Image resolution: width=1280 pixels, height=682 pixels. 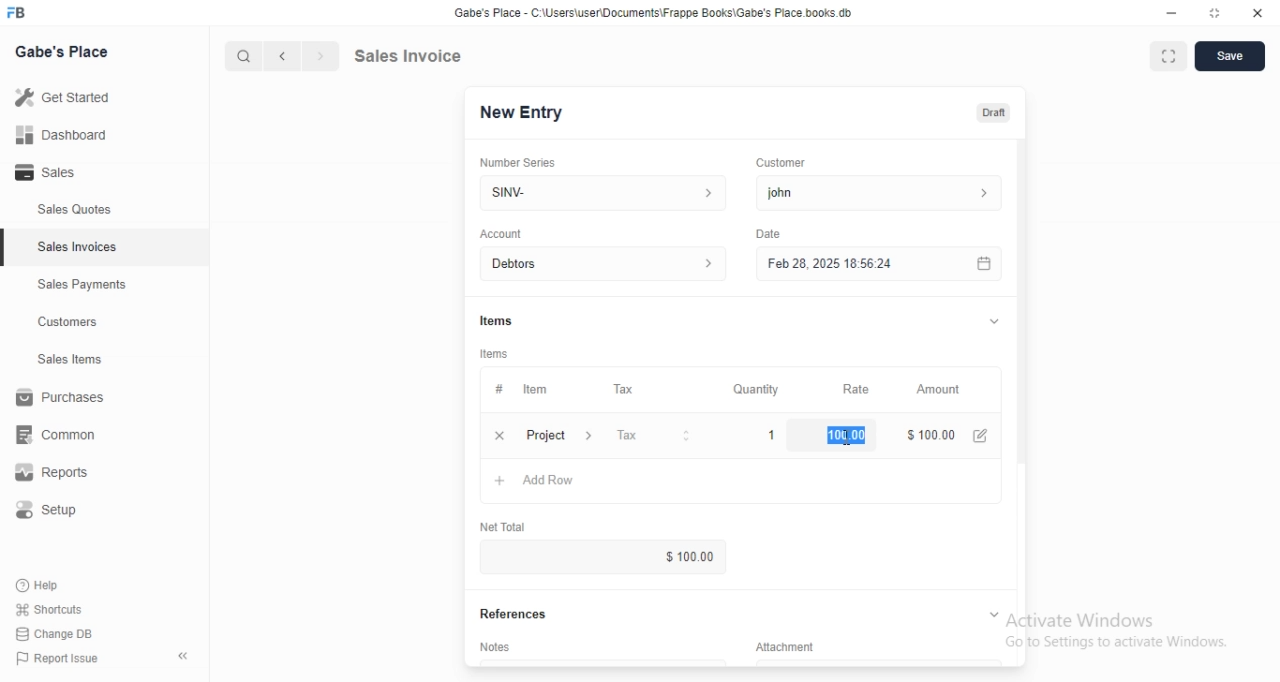 I want to click on Feb 28, 2025 18:56:24., so click(x=875, y=262).